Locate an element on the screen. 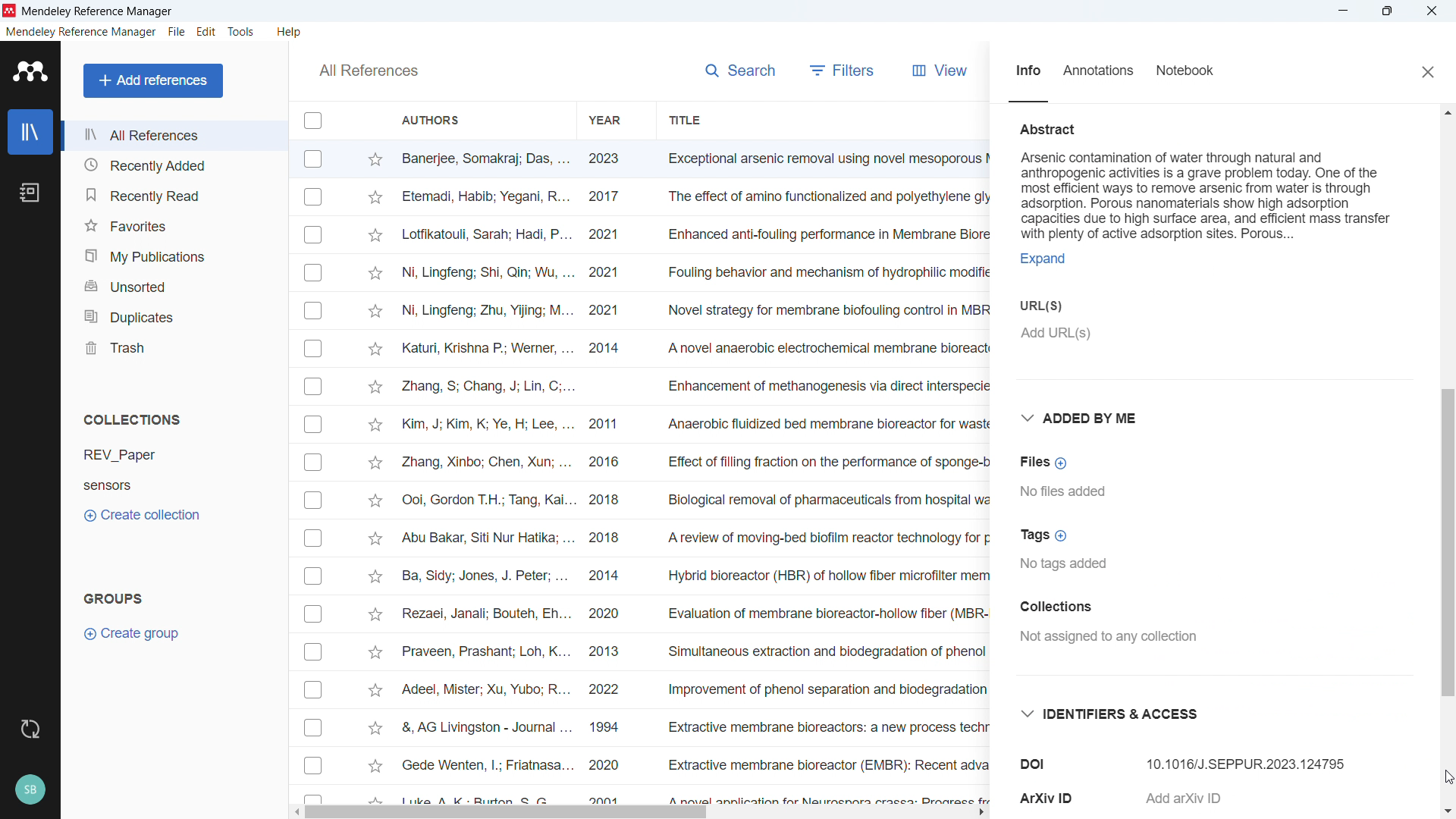 This screenshot has width=1456, height=819. click to select individual entry is located at coordinates (313, 767).